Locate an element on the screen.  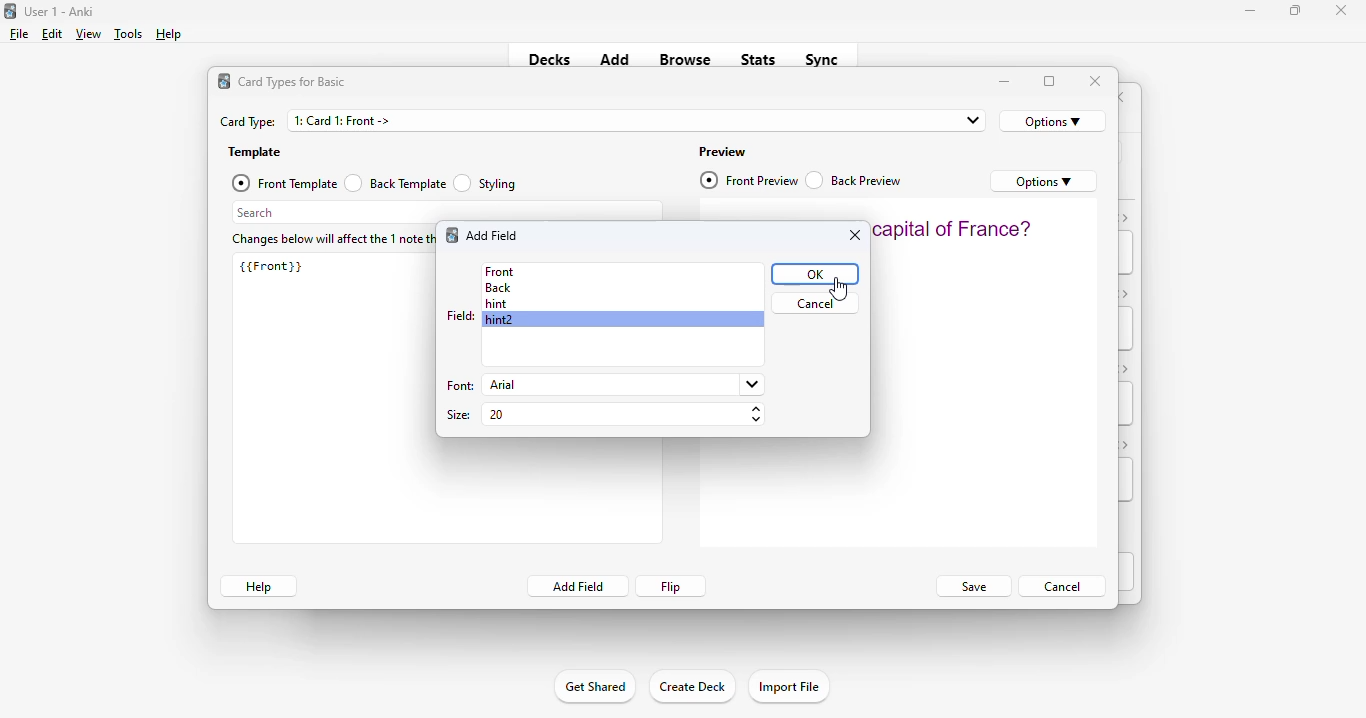
front is located at coordinates (499, 271).